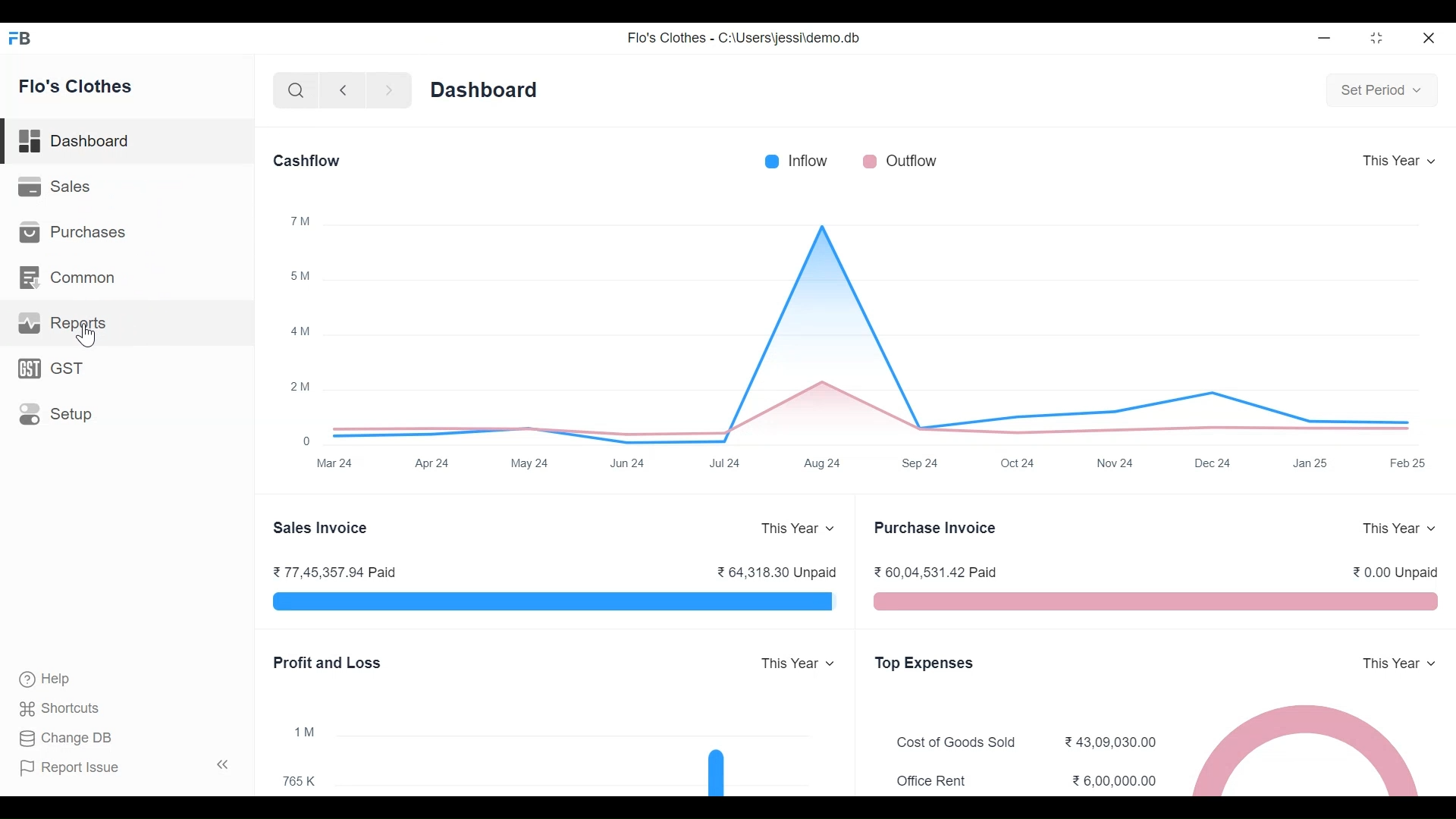 The width and height of the screenshot is (1456, 819). Describe the element at coordinates (488, 89) in the screenshot. I see `Dashboard` at that location.